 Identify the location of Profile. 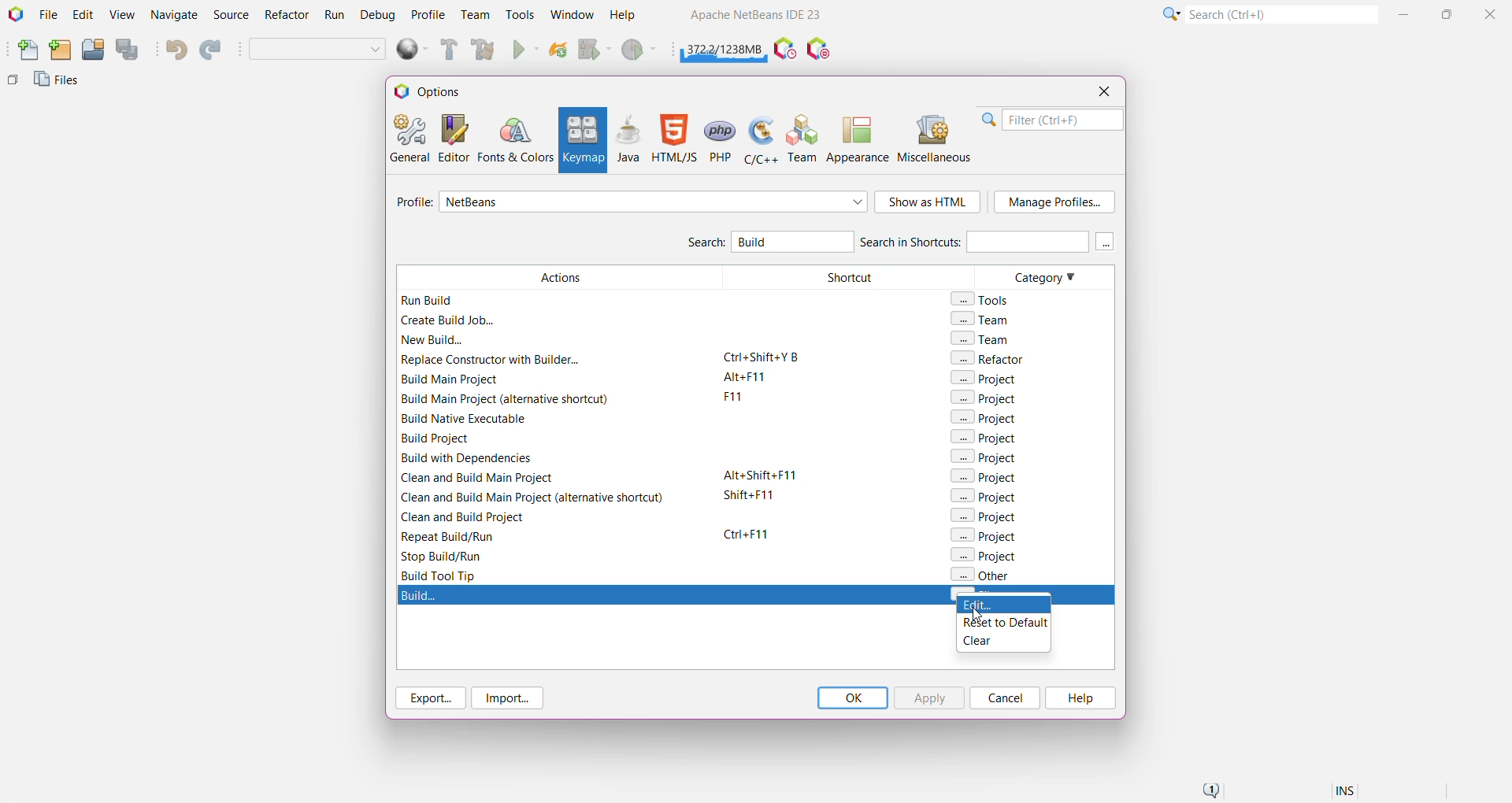
(428, 14).